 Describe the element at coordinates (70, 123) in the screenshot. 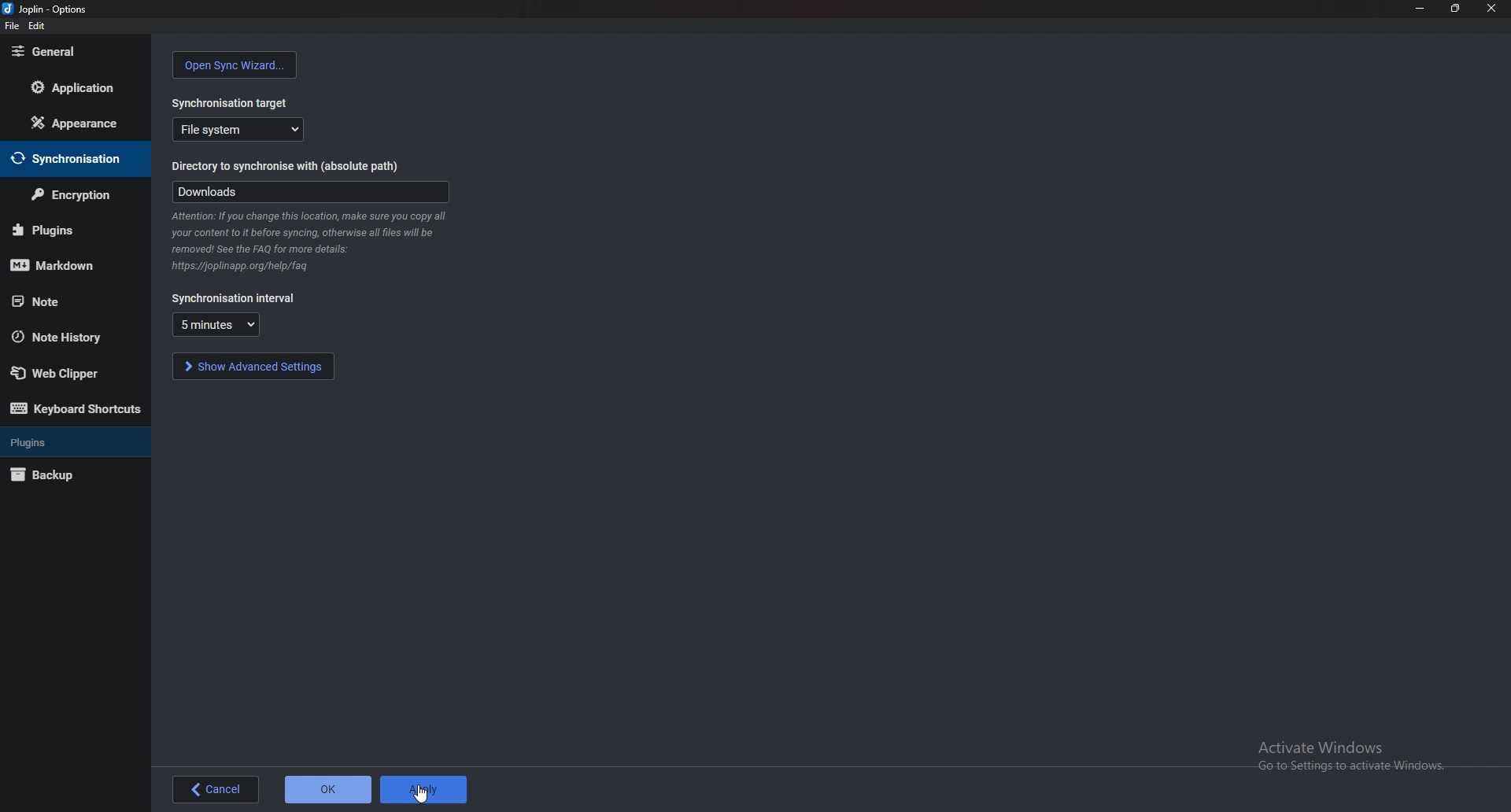

I see `Appearance` at that location.